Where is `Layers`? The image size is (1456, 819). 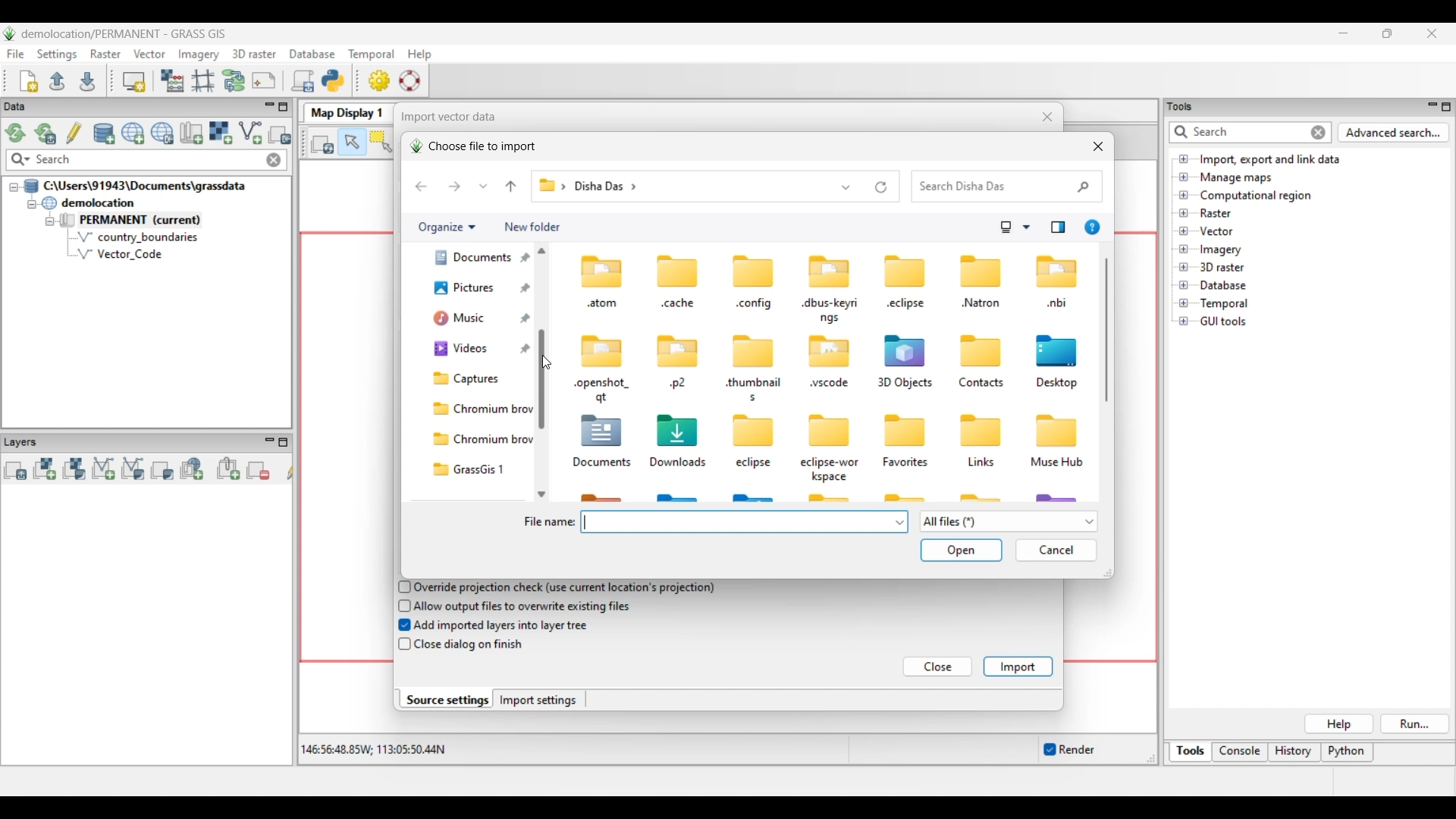 Layers is located at coordinates (24, 441).